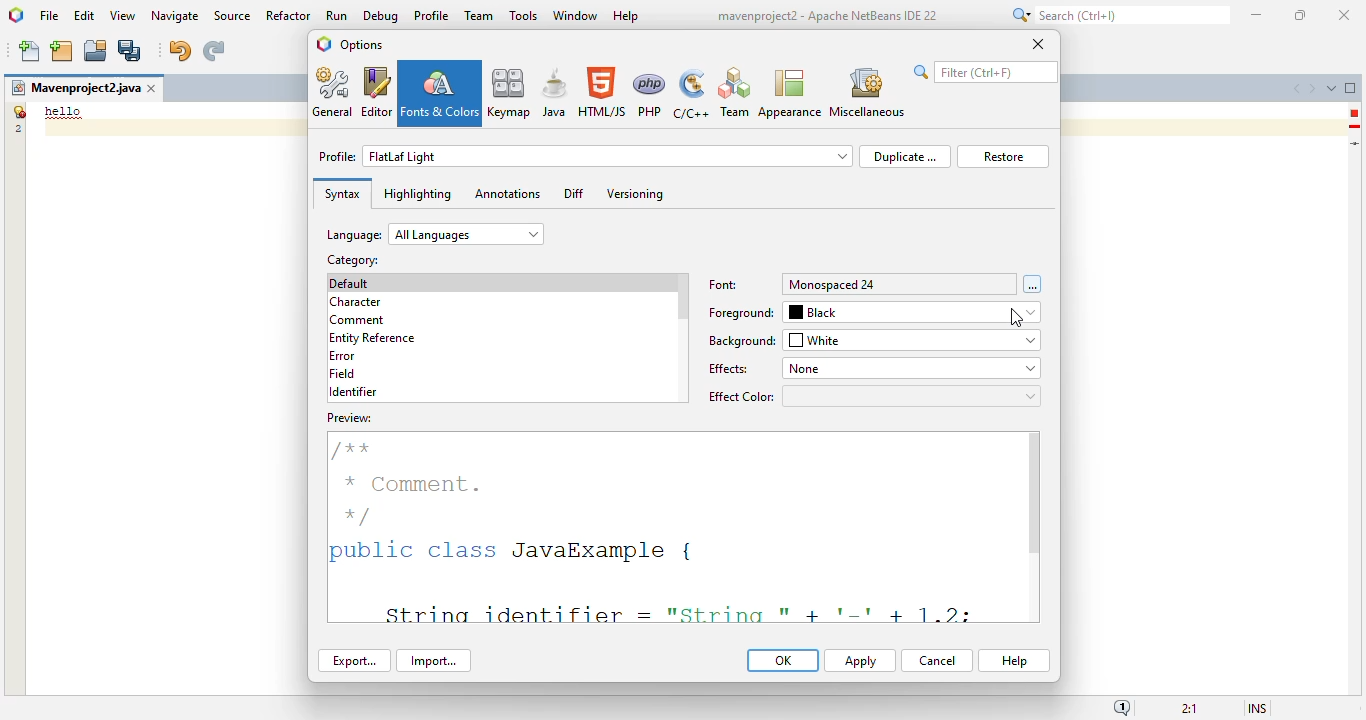 The image size is (1366, 720). Describe the element at coordinates (873, 396) in the screenshot. I see `effect color: ` at that location.